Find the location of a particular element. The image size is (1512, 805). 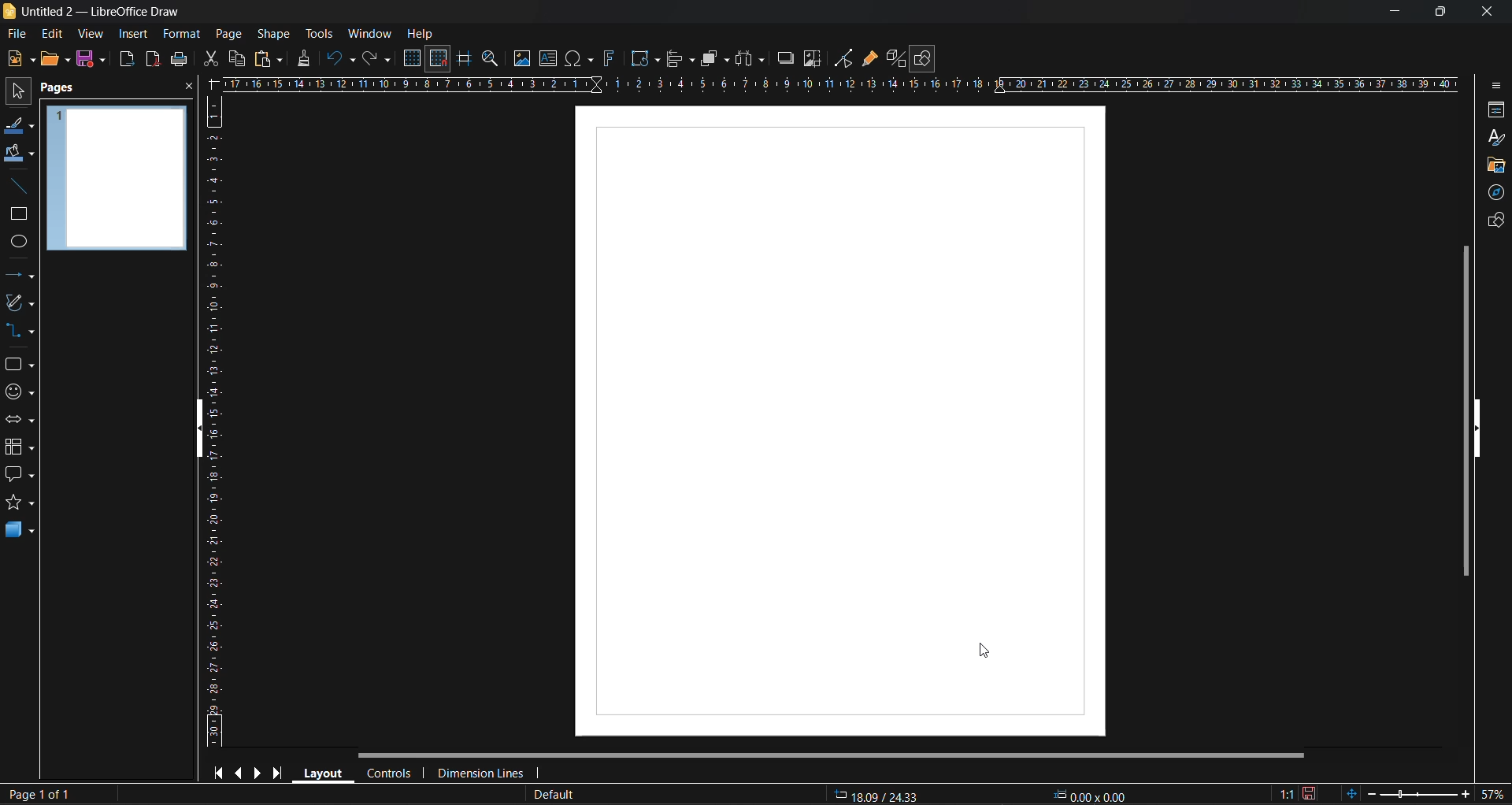

copy is located at coordinates (236, 59).